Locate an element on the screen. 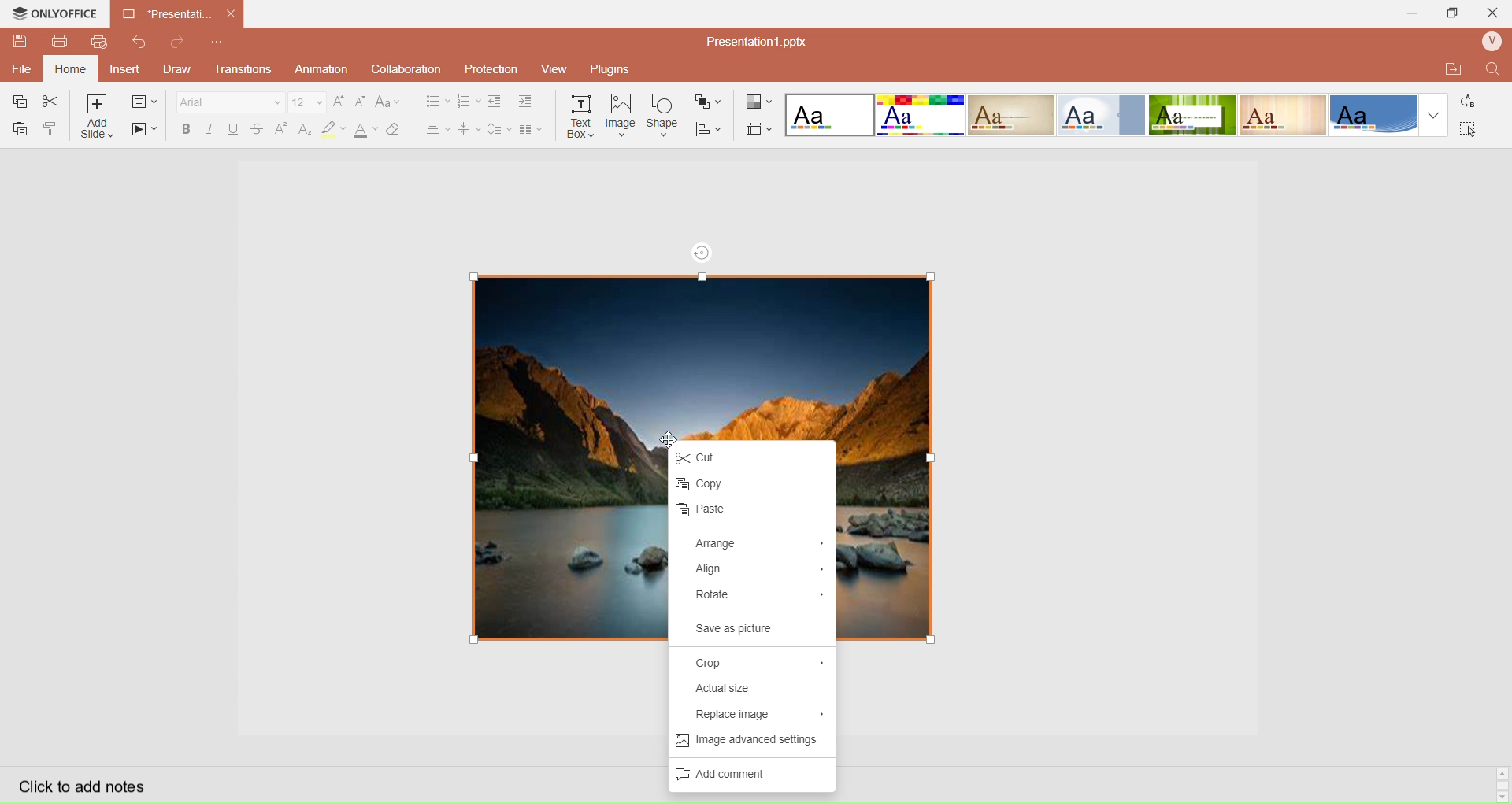 The height and width of the screenshot is (803, 1512). rotation tool is located at coordinates (703, 251).